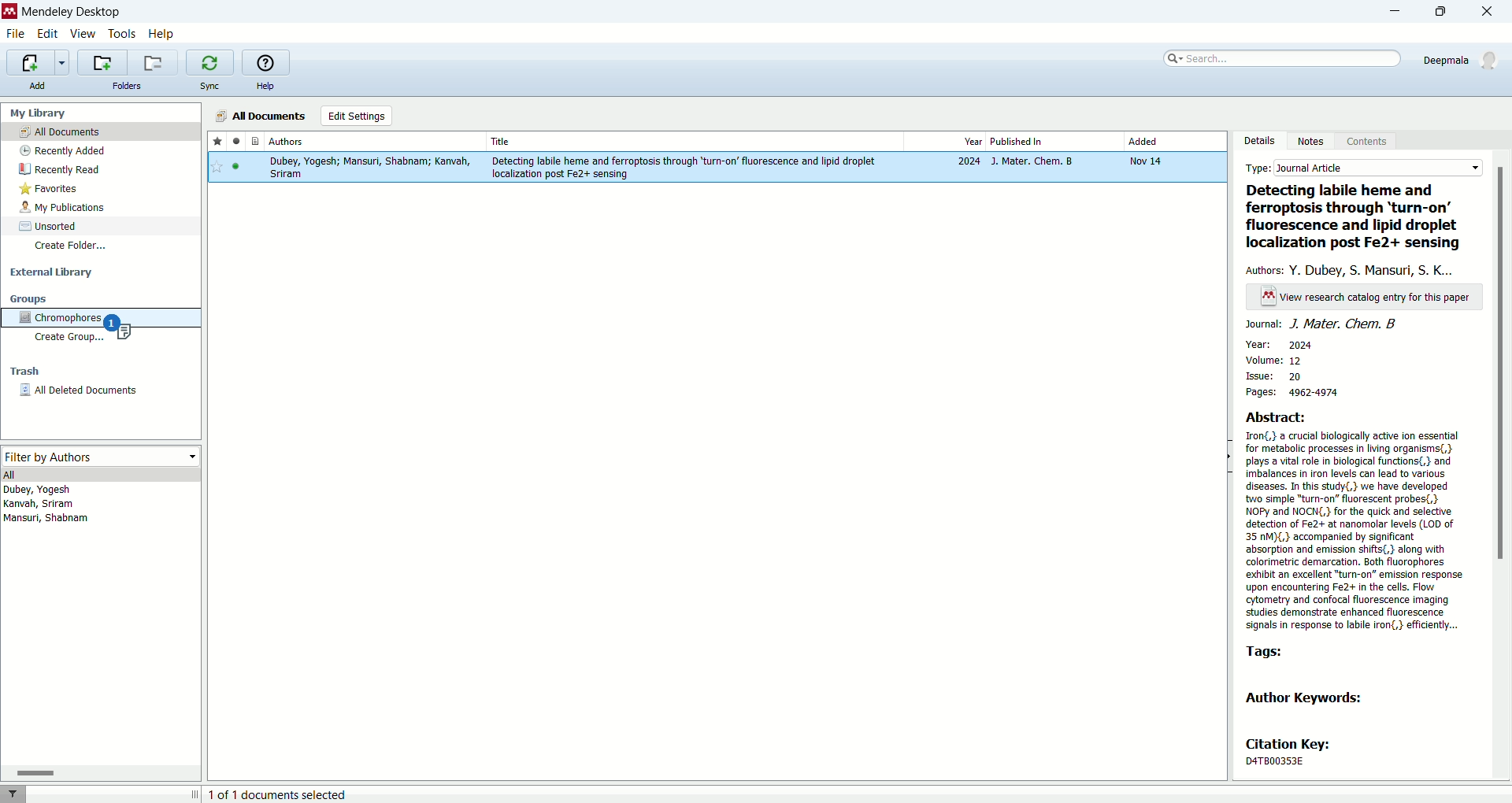  What do you see at coordinates (49, 190) in the screenshot?
I see `favorites` at bounding box center [49, 190].